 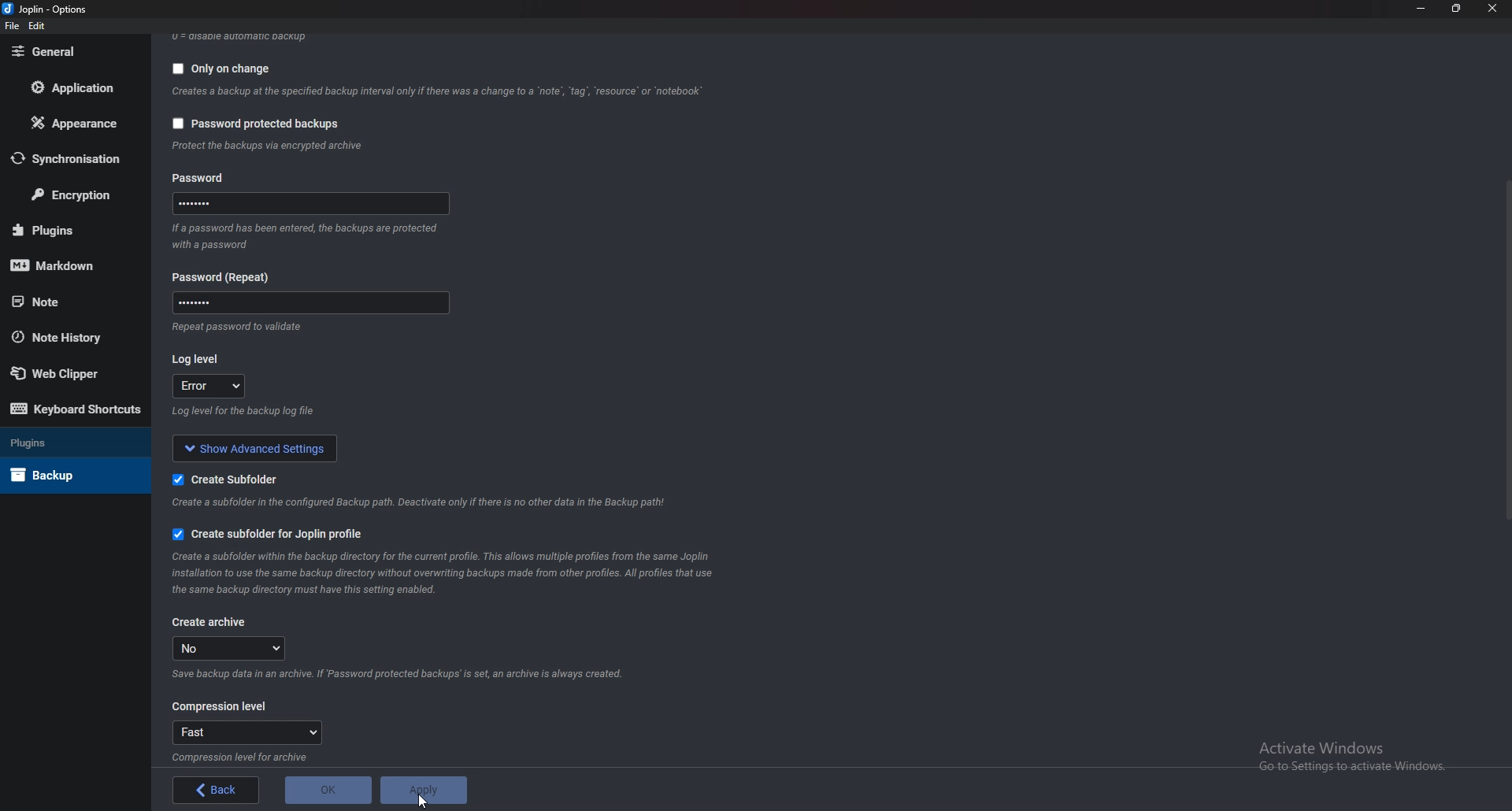 I want to click on password, so click(x=202, y=178).